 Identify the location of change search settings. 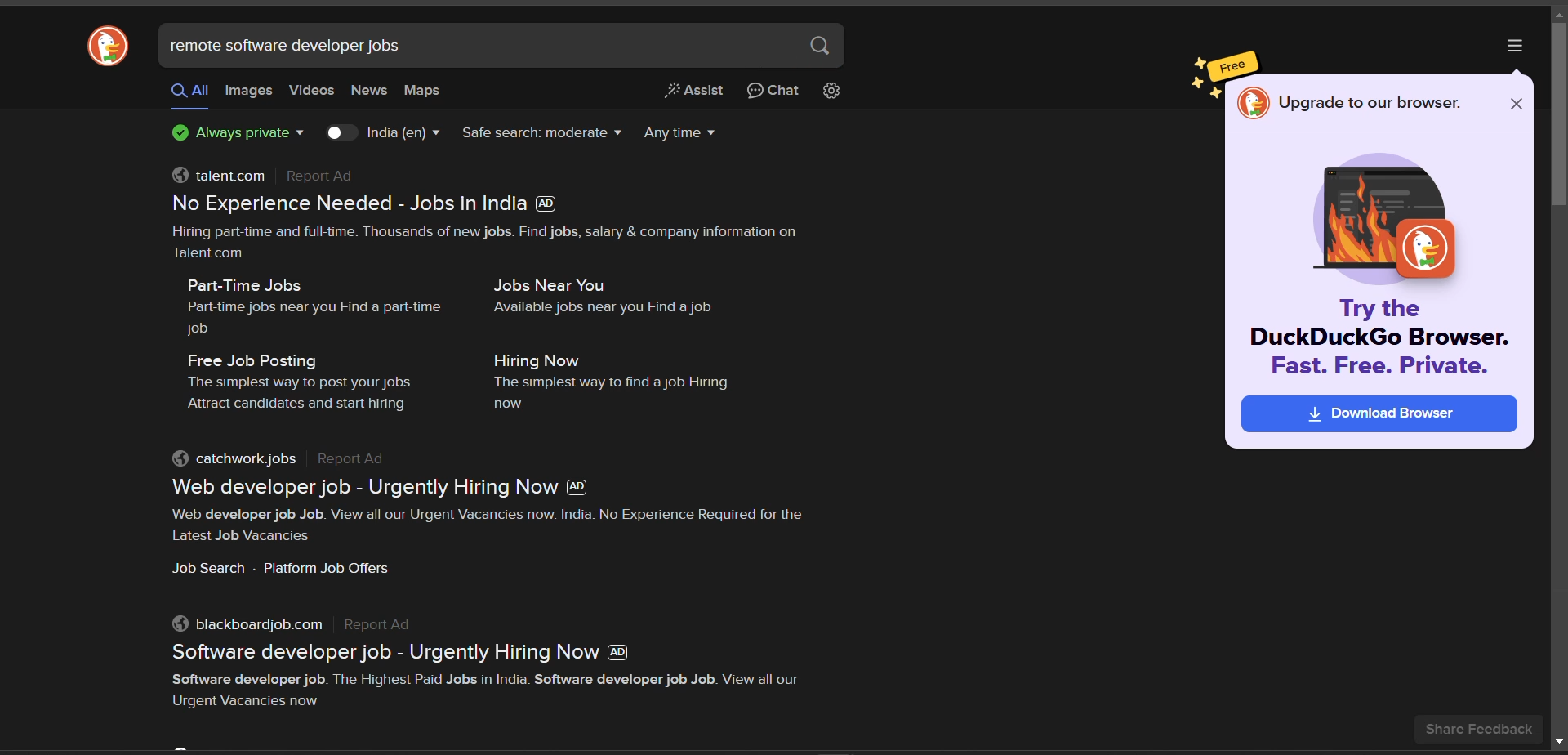
(835, 92).